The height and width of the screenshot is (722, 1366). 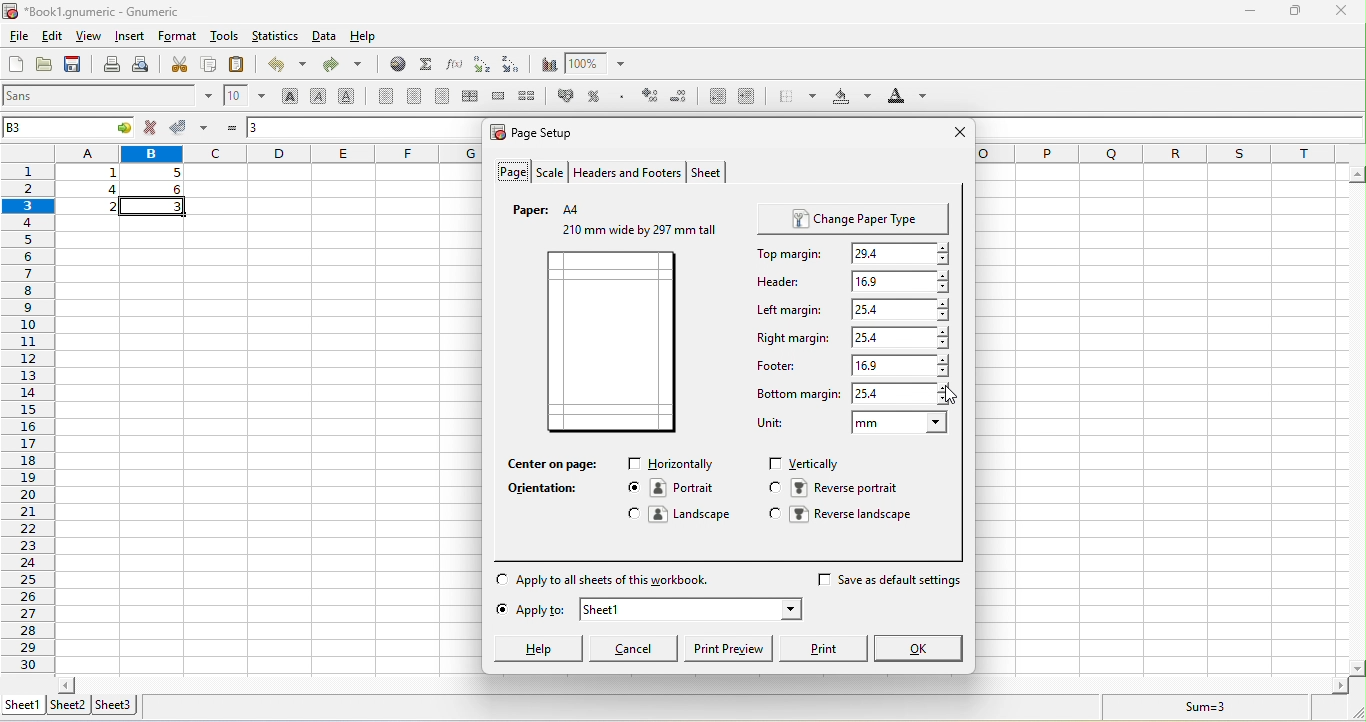 I want to click on ok, so click(x=916, y=649).